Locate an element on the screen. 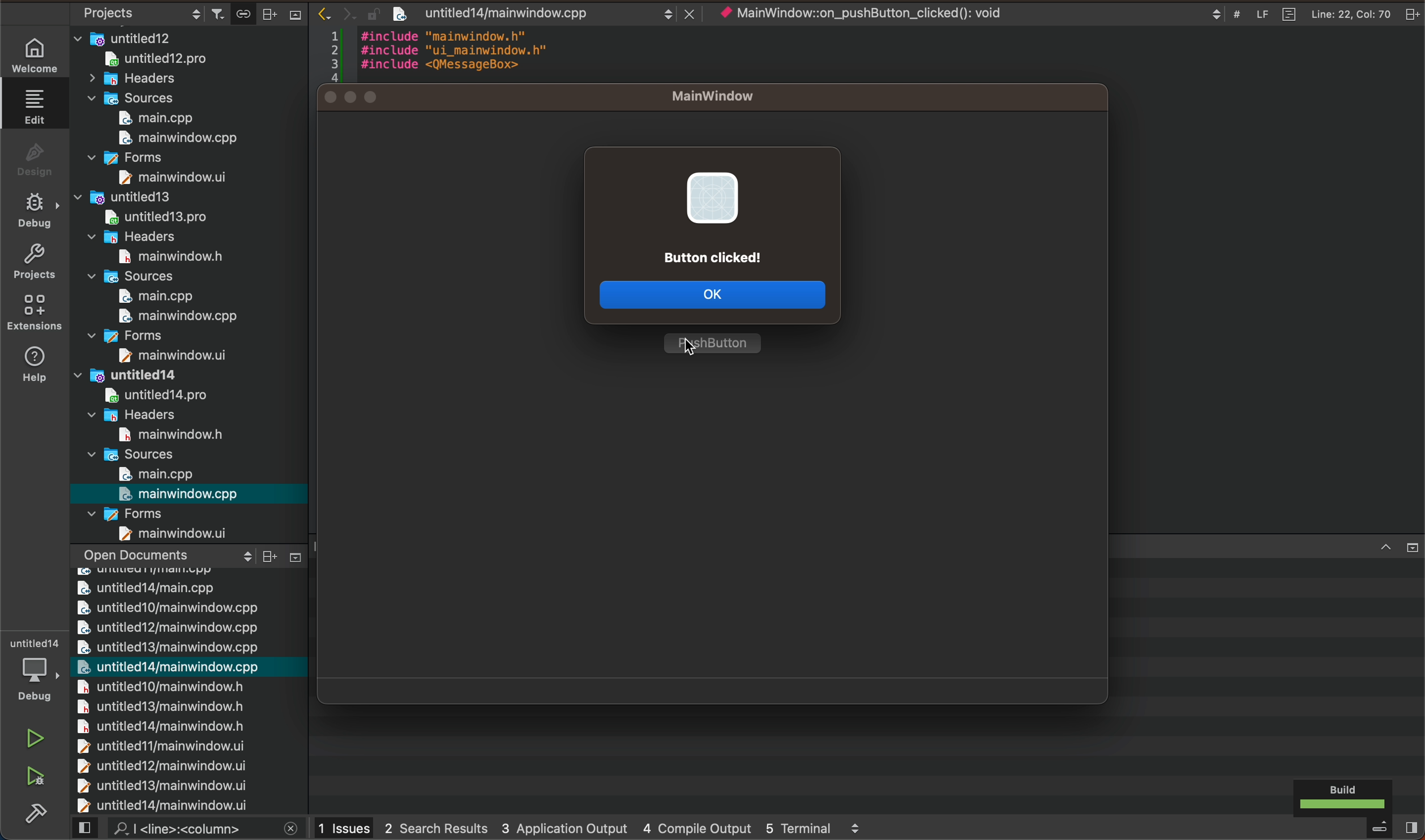 Image resolution: width=1425 pixels, height=840 pixels. forms is located at coordinates (130, 159).